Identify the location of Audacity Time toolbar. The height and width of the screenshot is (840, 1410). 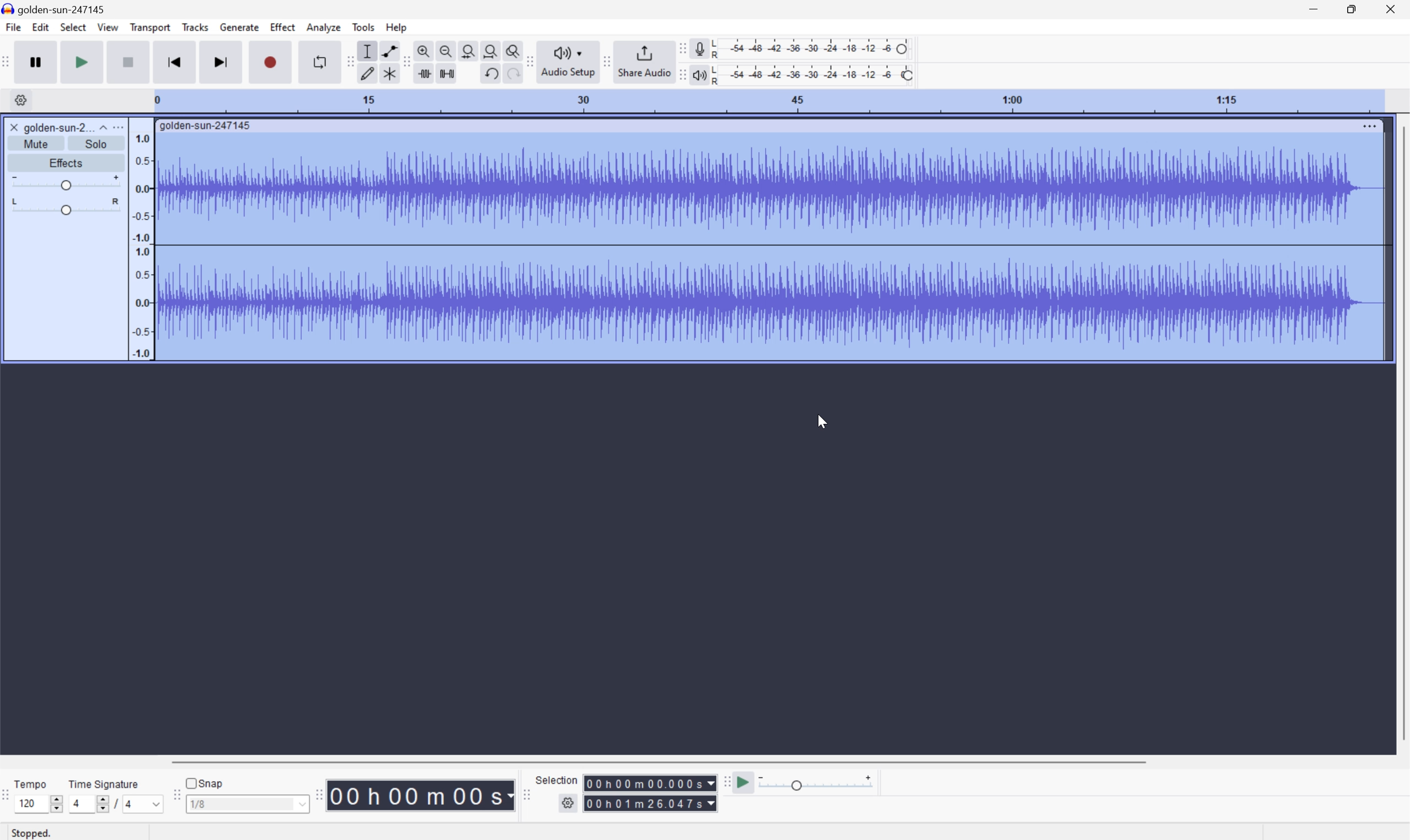
(317, 795).